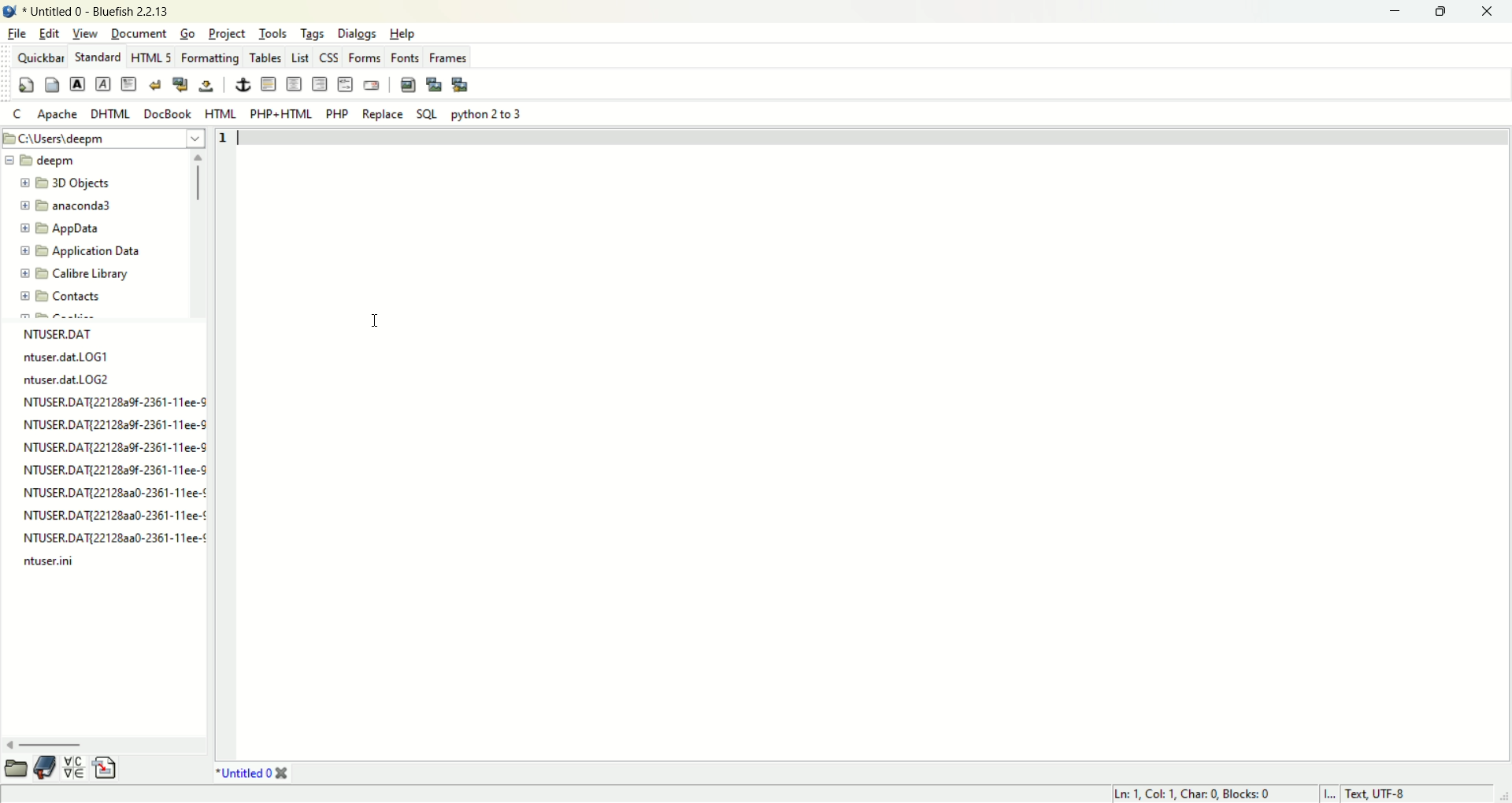 The height and width of the screenshot is (803, 1512). What do you see at coordinates (228, 32) in the screenshot?
I see `project` at bounding box center [228, 32].